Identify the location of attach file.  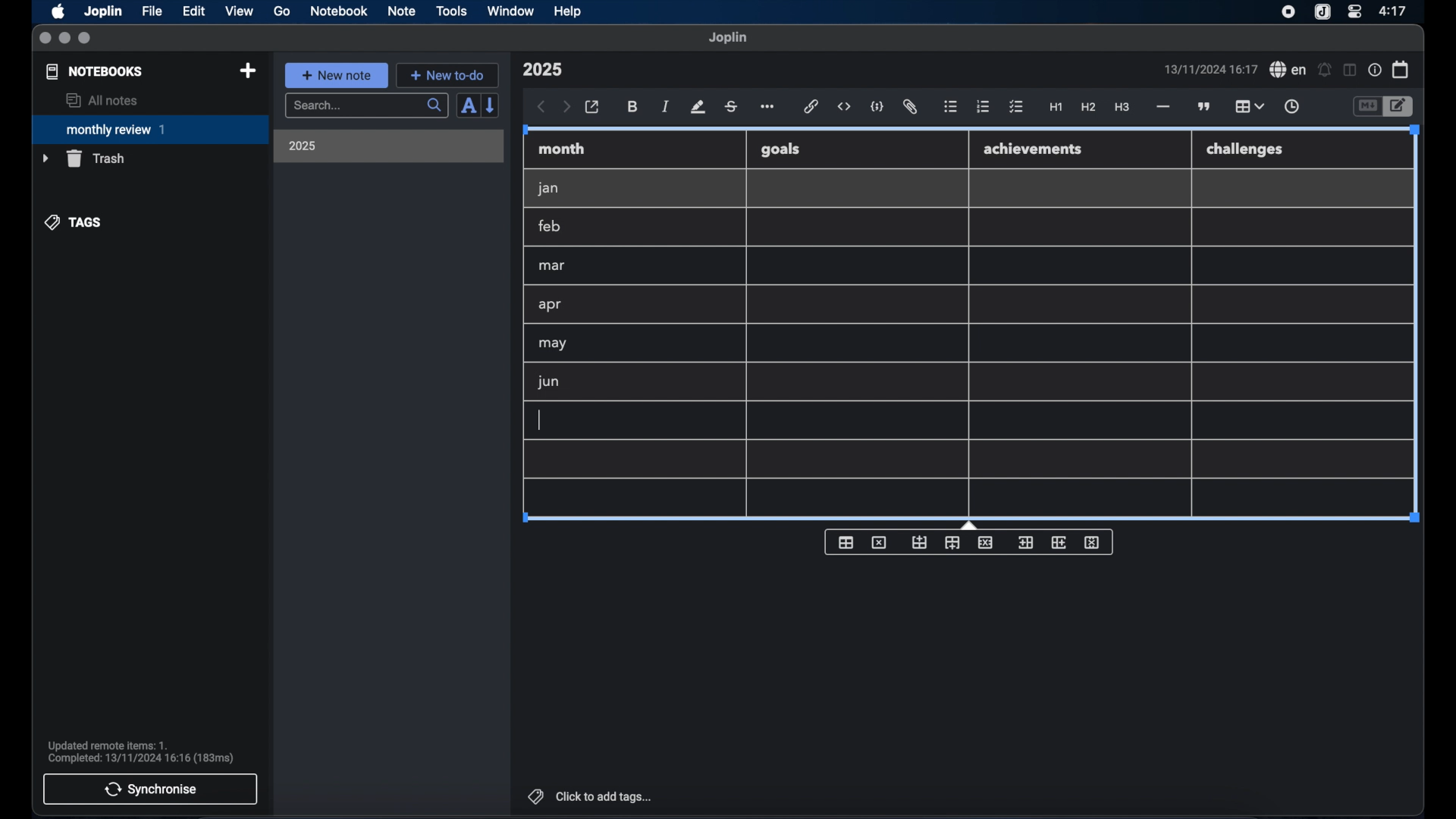
(910, 107).